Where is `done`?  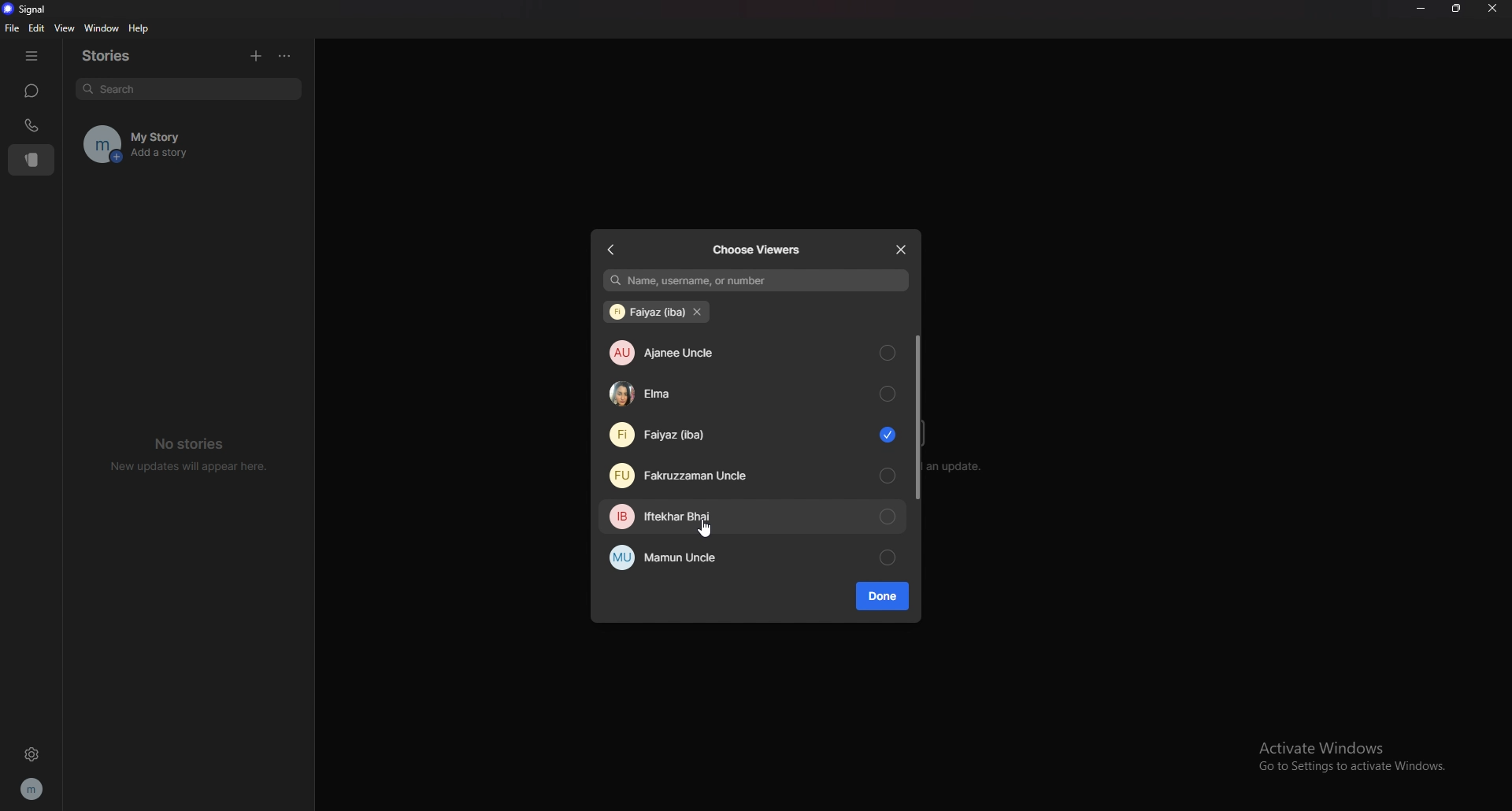
done is located at coordinates (886, 597).